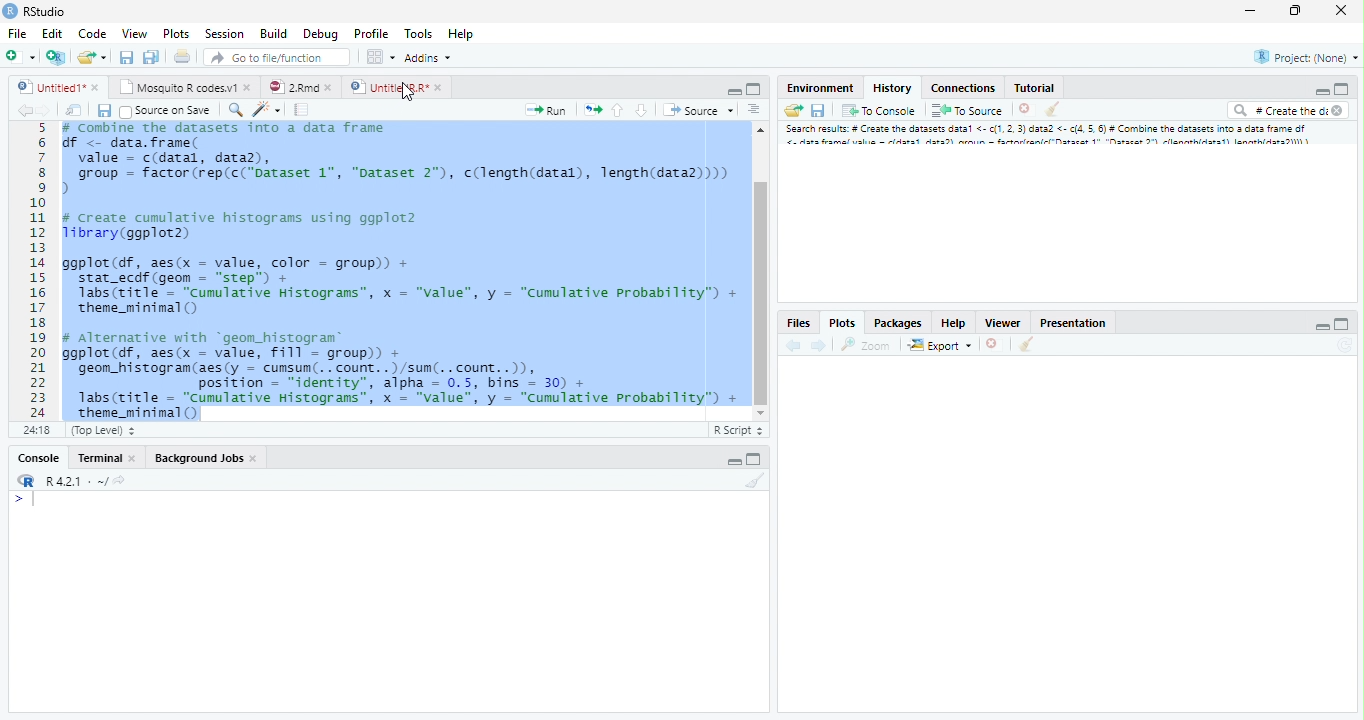  I want to click on Go to the next section/chunk, so click(641, 111).